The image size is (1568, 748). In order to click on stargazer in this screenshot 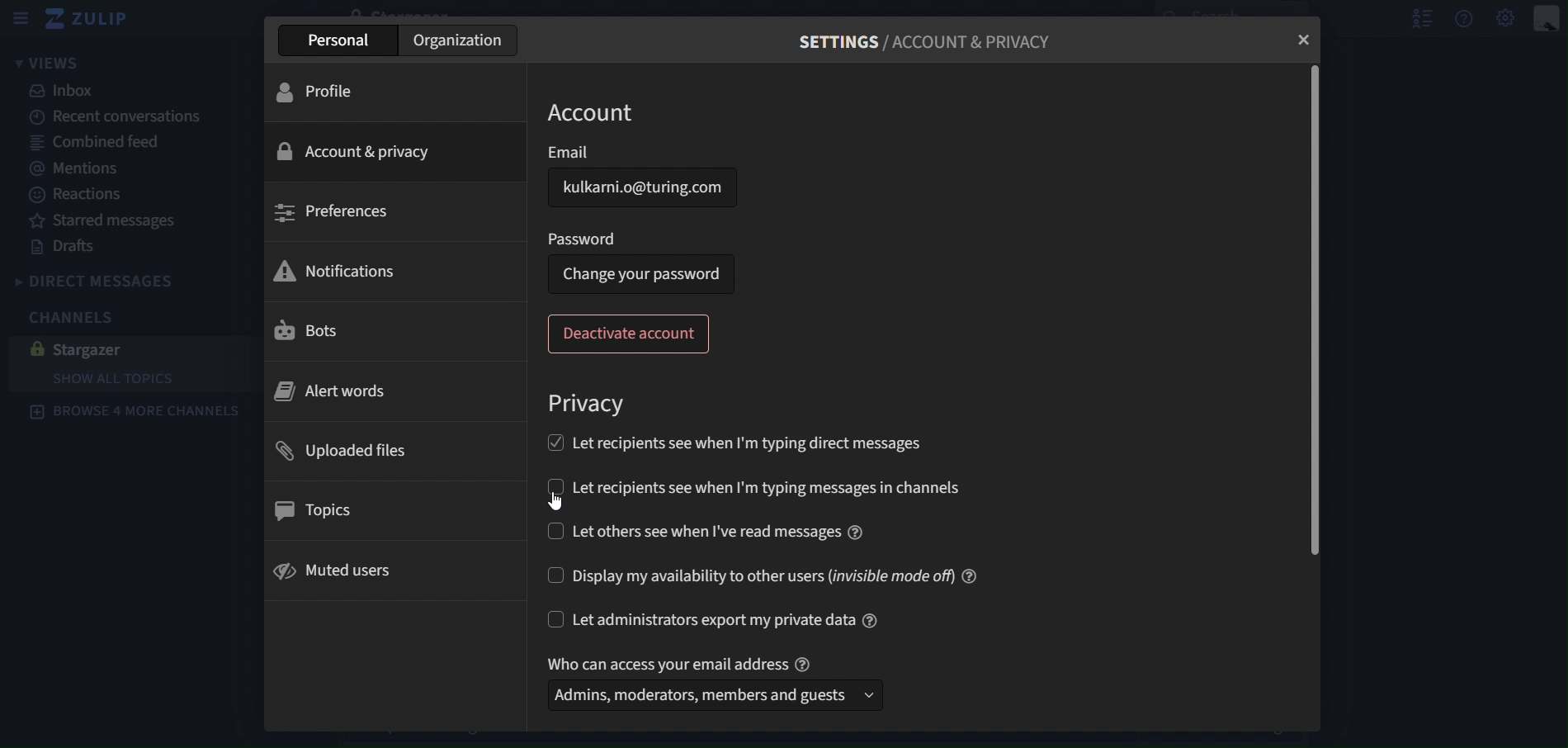, I will do `click(80, 352)`.